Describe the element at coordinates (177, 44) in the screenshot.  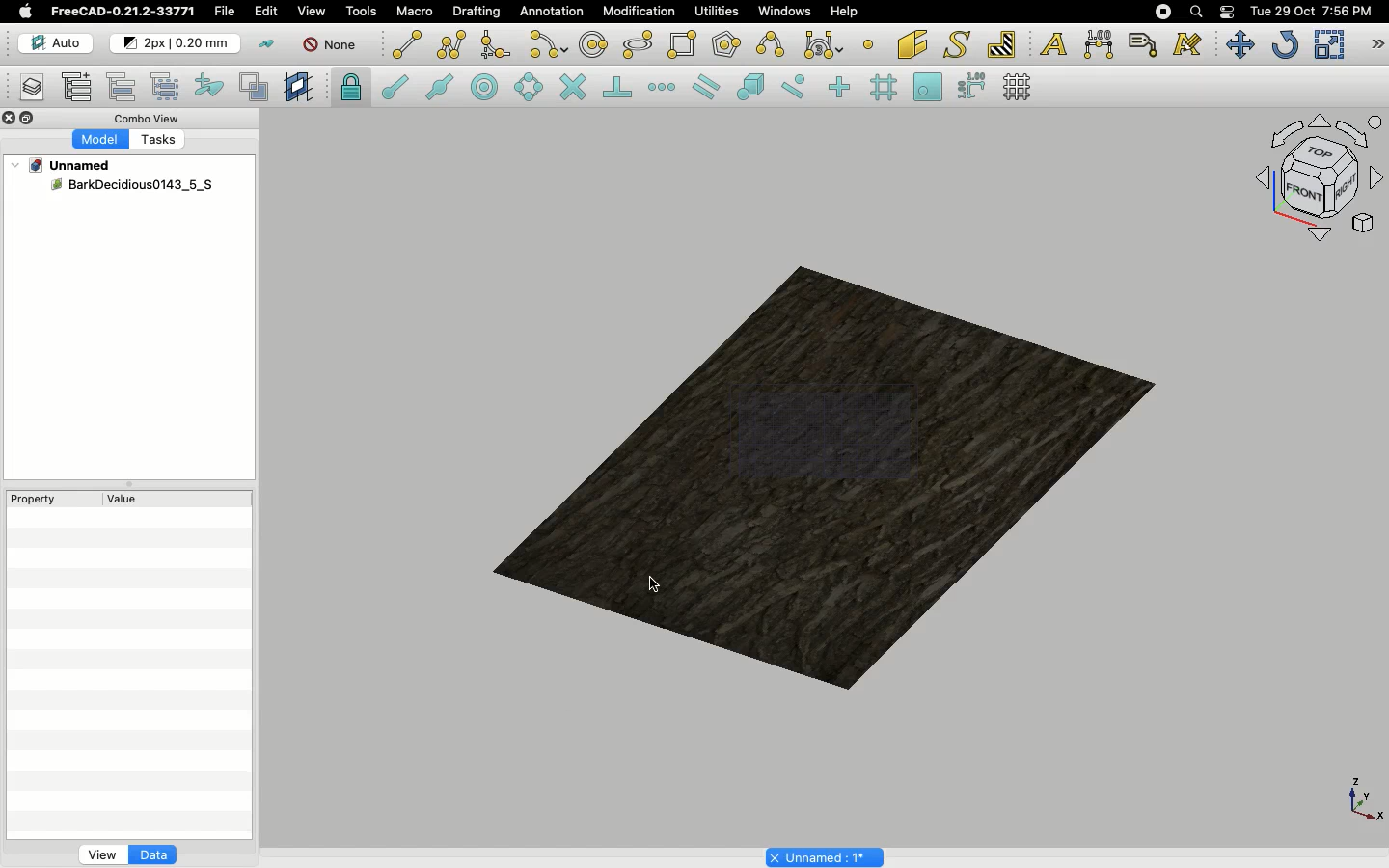
I see `Change default for new objects` at that location.